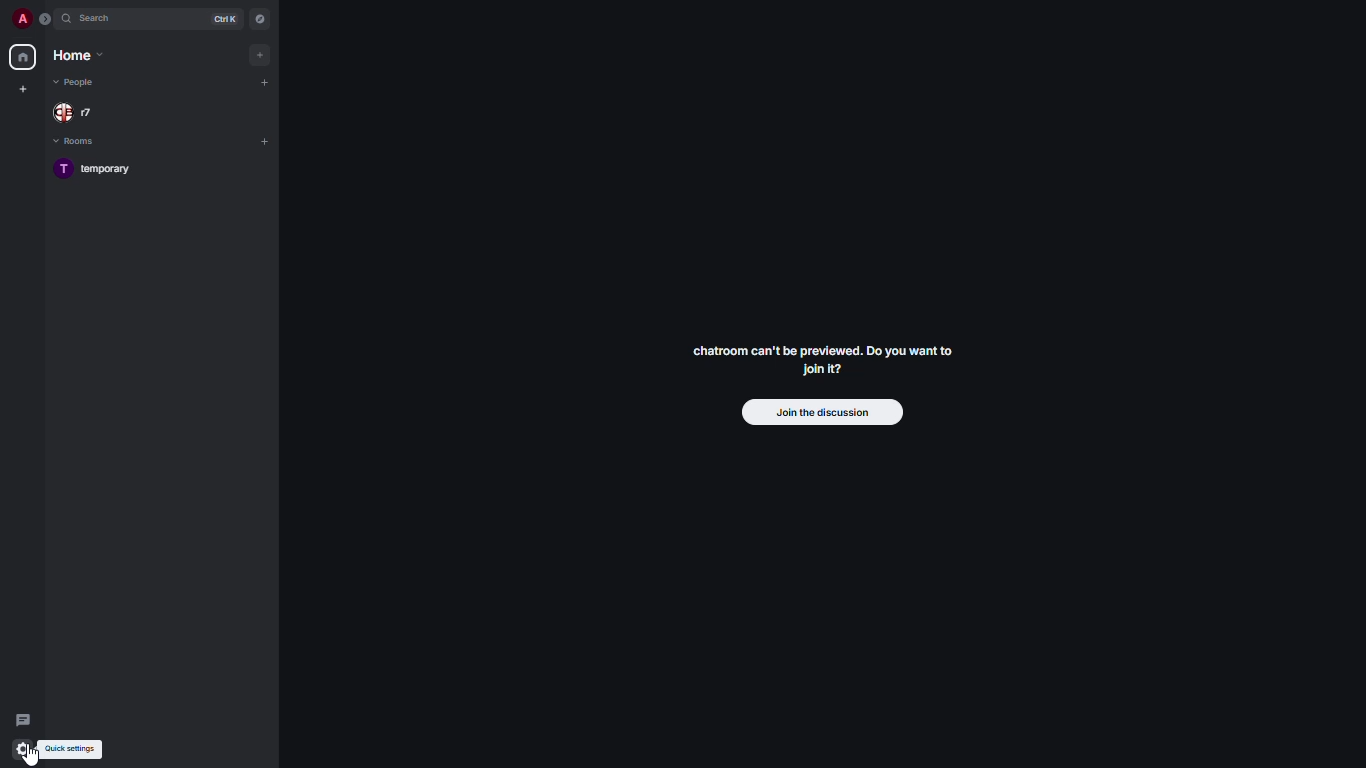 Image resolution: width=1366 pixels, height=768 pixels. Describe the element at coordinates (267, 141) in the screenshot. I see `add` at that location.